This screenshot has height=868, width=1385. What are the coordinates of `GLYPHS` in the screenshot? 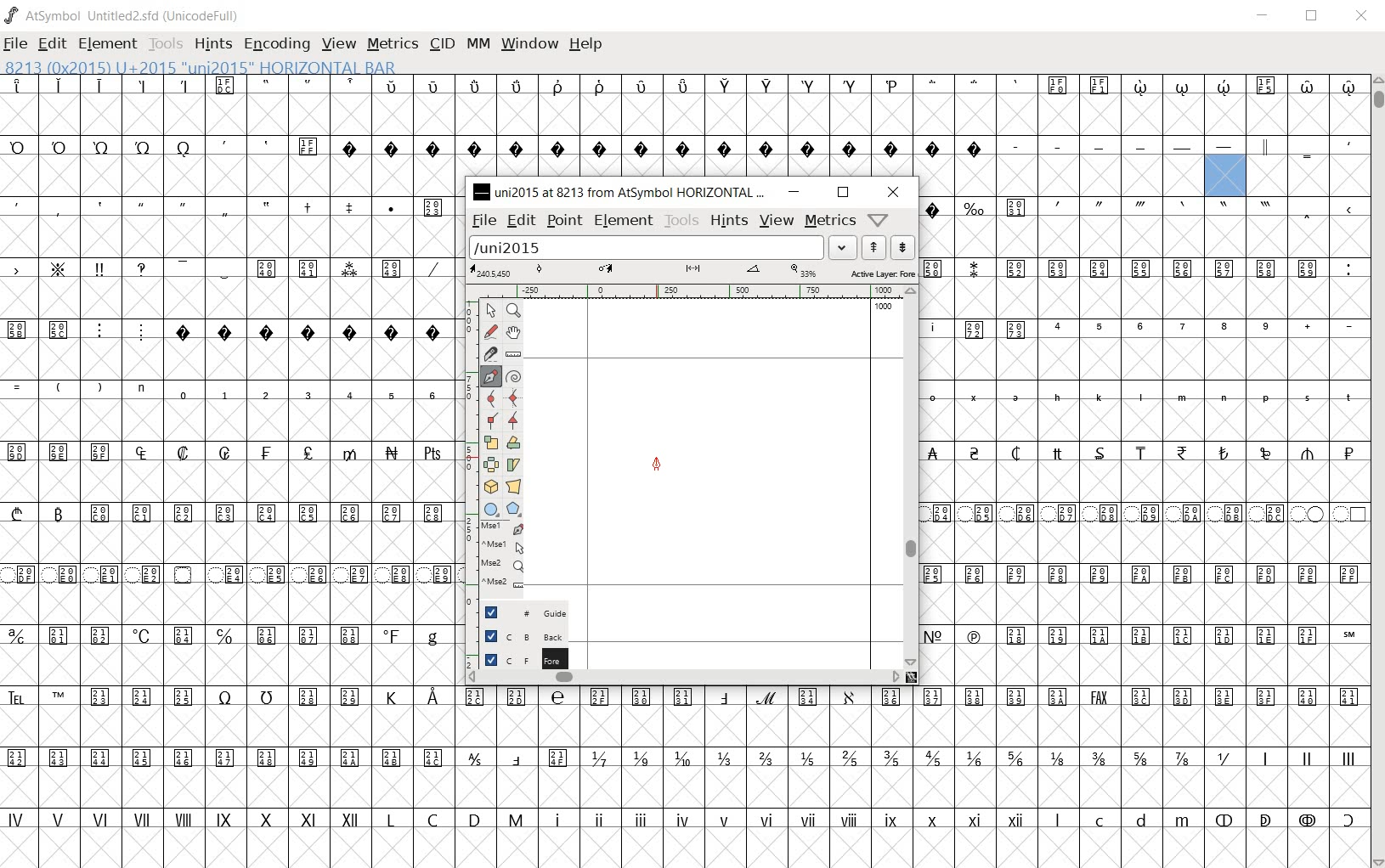 It's located at (228, 470).